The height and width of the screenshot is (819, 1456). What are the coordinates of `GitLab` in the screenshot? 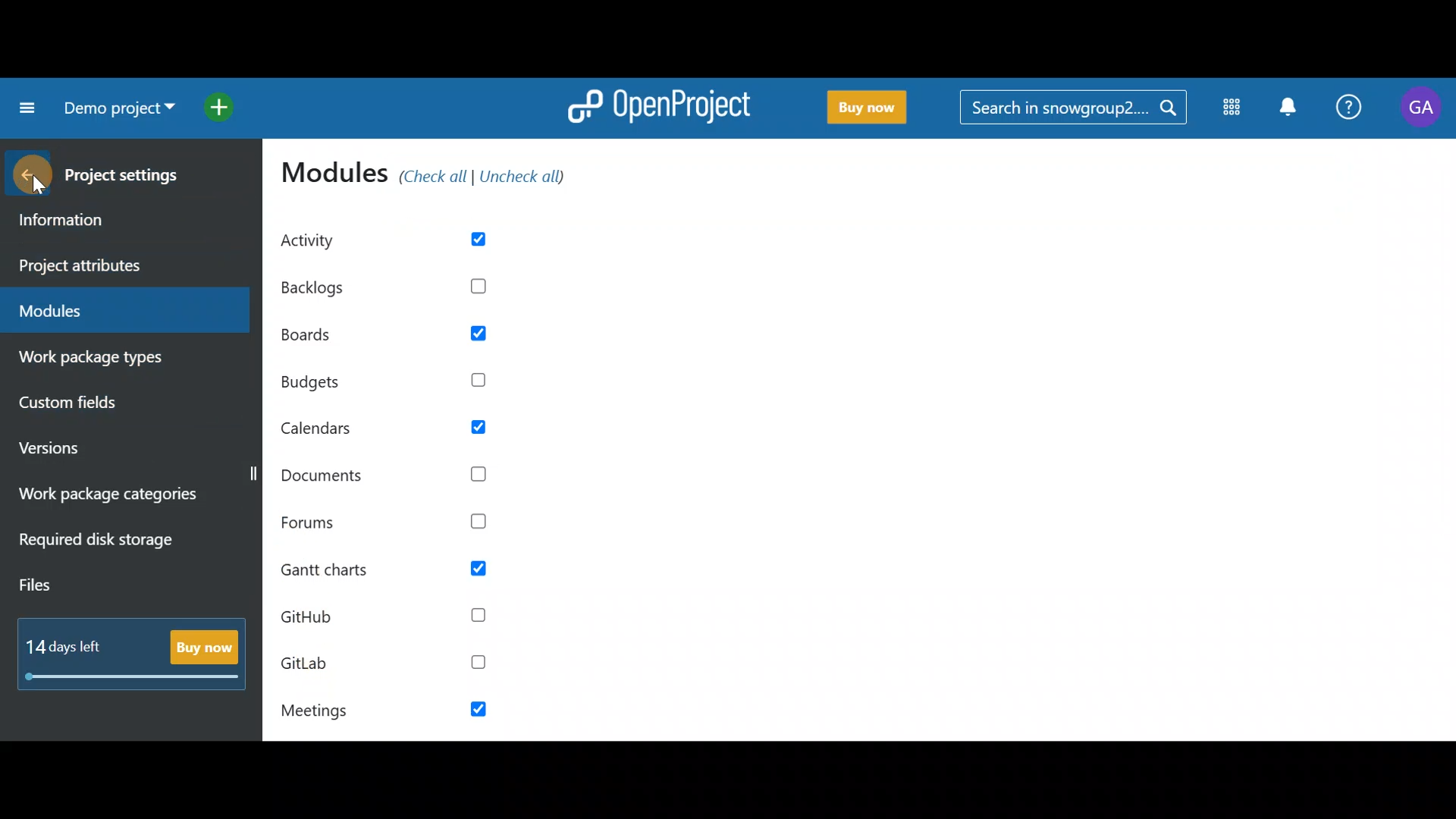 It's located at (385, 664).